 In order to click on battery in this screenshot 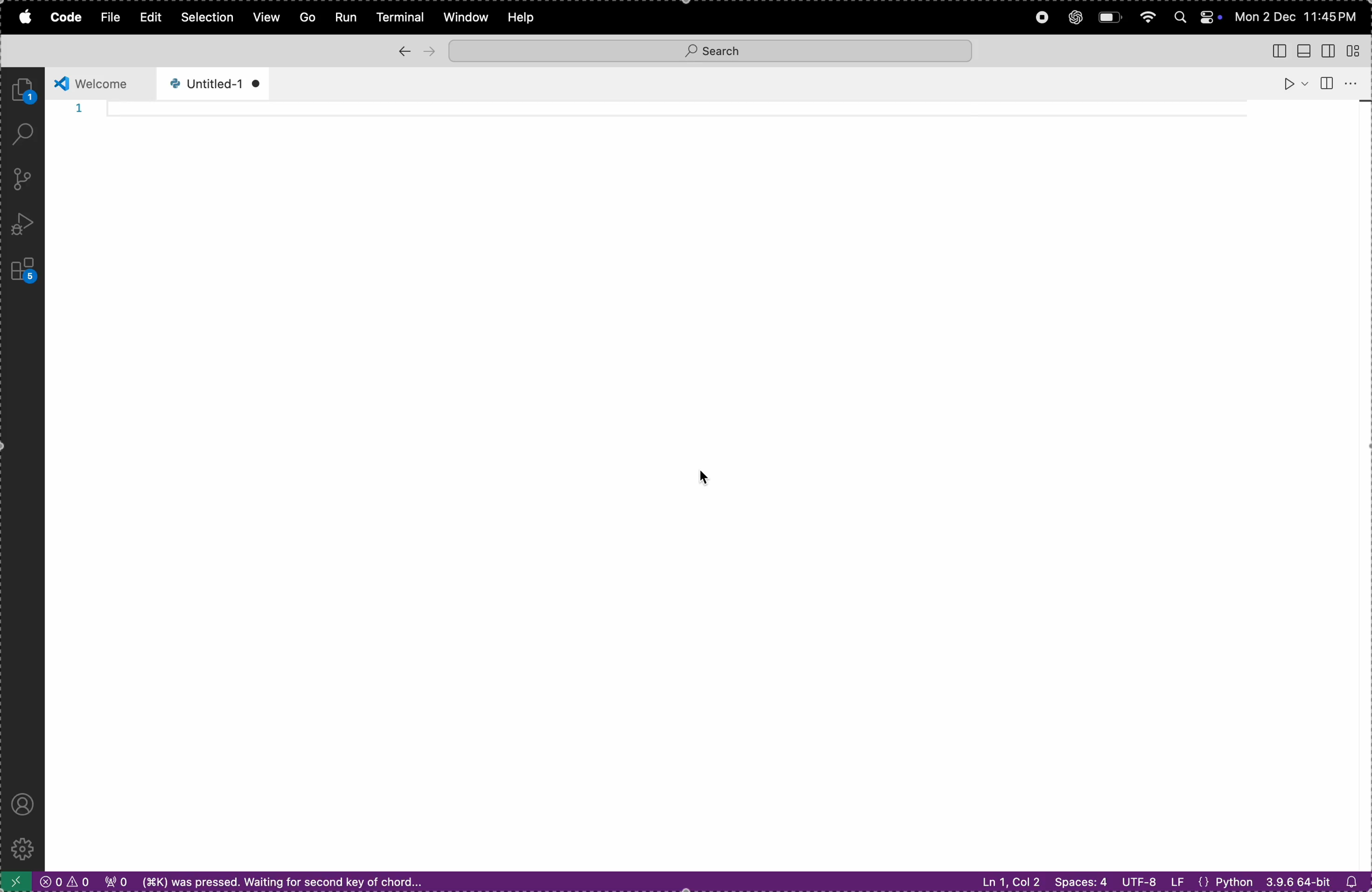, I will do `click(1110, 18)`.